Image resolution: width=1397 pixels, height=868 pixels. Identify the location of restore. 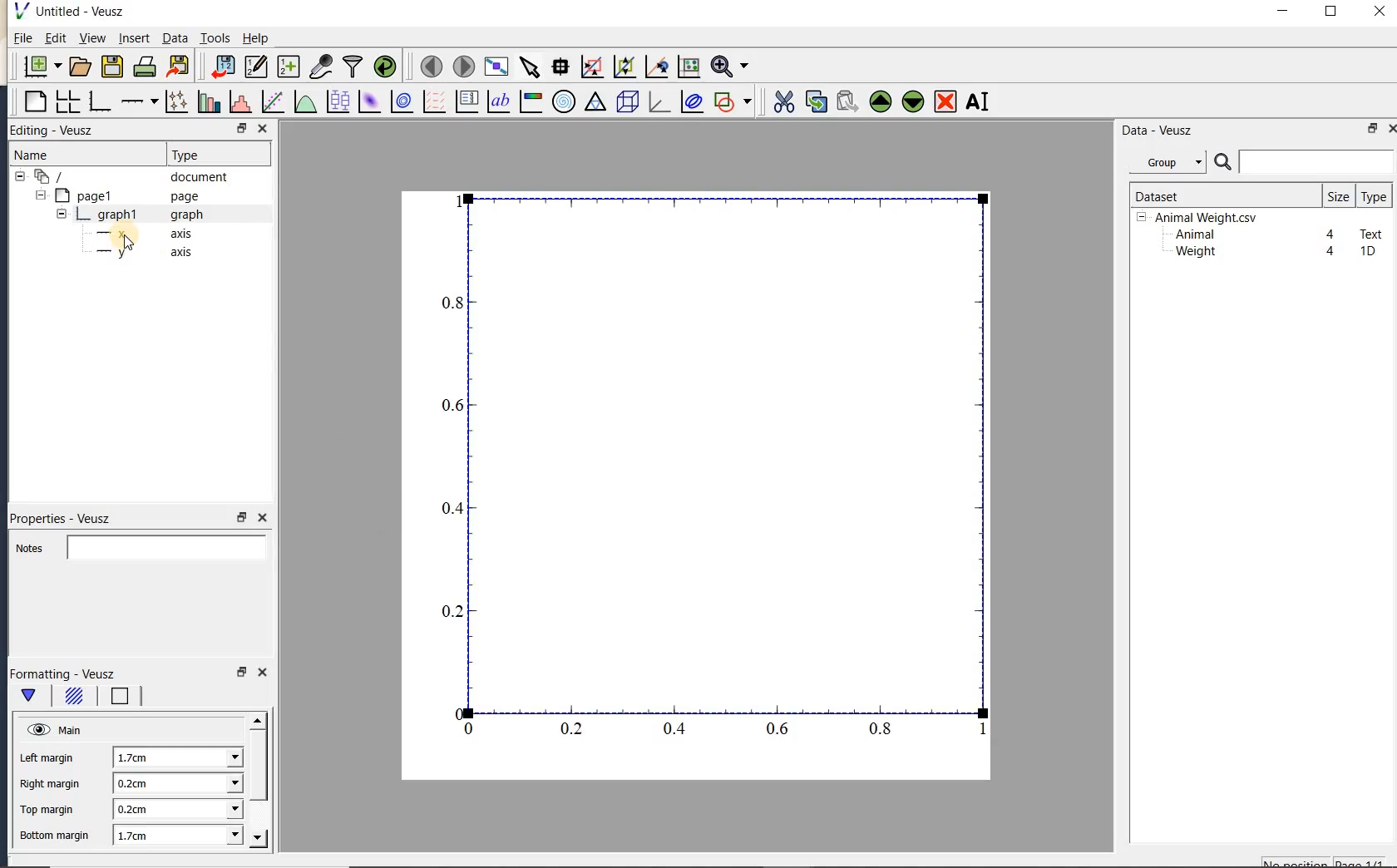
(240, 672).